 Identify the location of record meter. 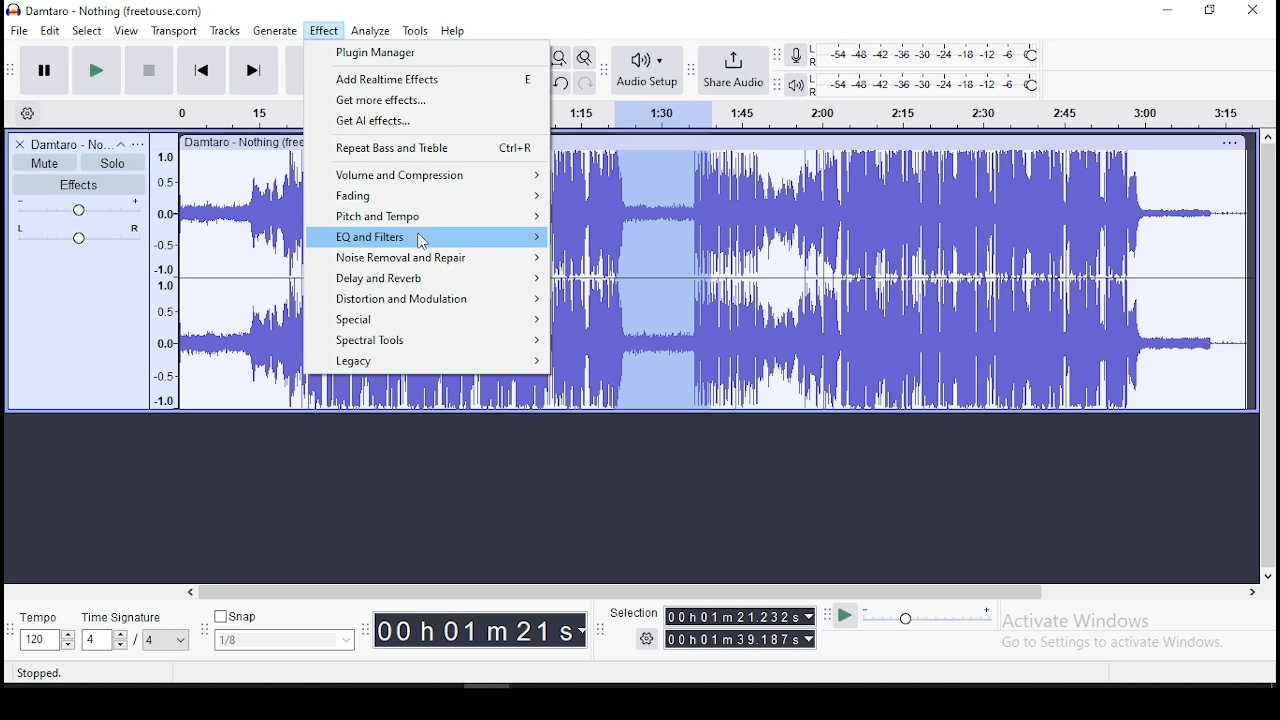
(796, 54).